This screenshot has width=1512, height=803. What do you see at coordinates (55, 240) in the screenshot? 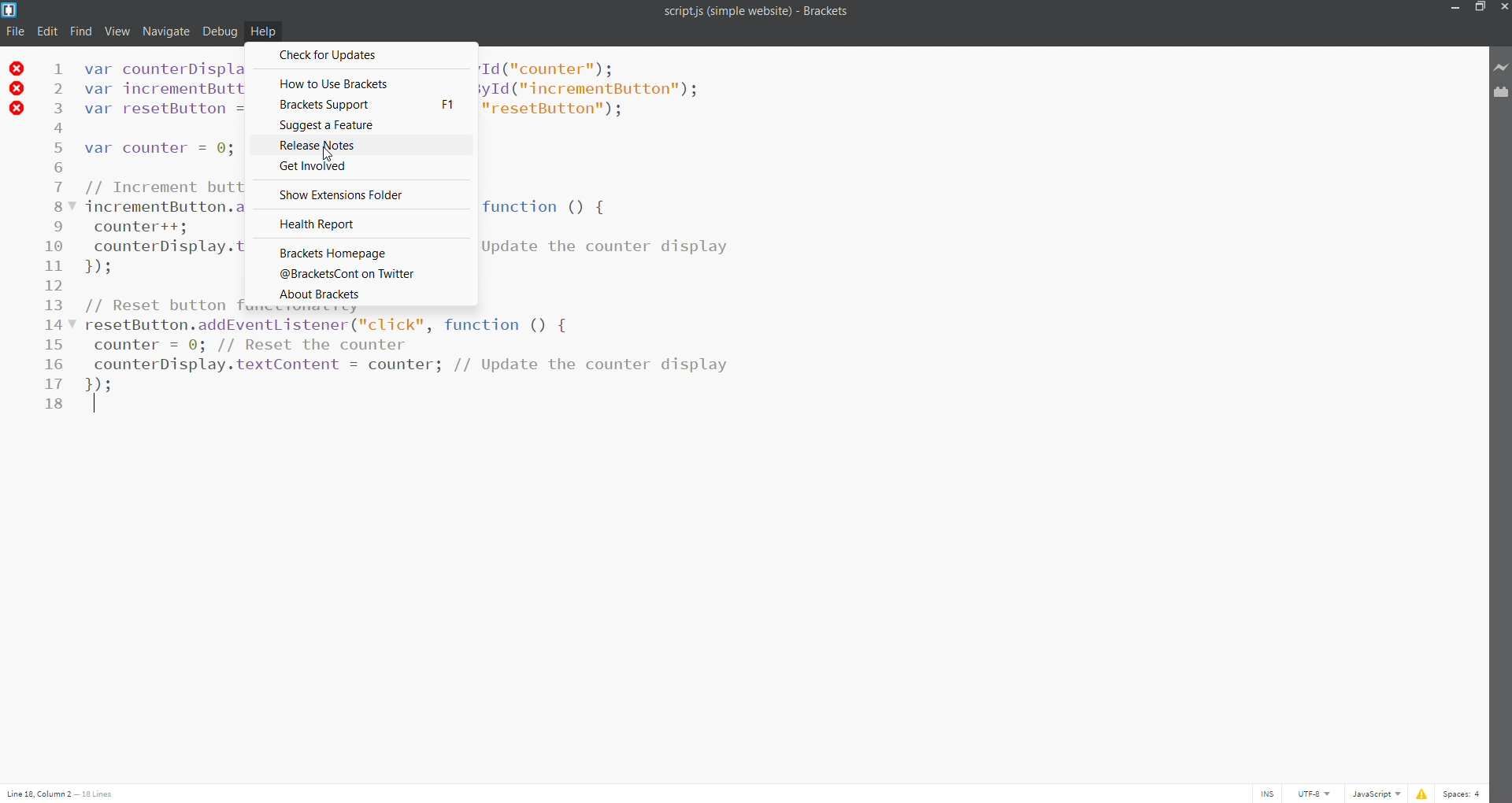
I see `123456789101112131415161718` at bounding box center [55, 240].